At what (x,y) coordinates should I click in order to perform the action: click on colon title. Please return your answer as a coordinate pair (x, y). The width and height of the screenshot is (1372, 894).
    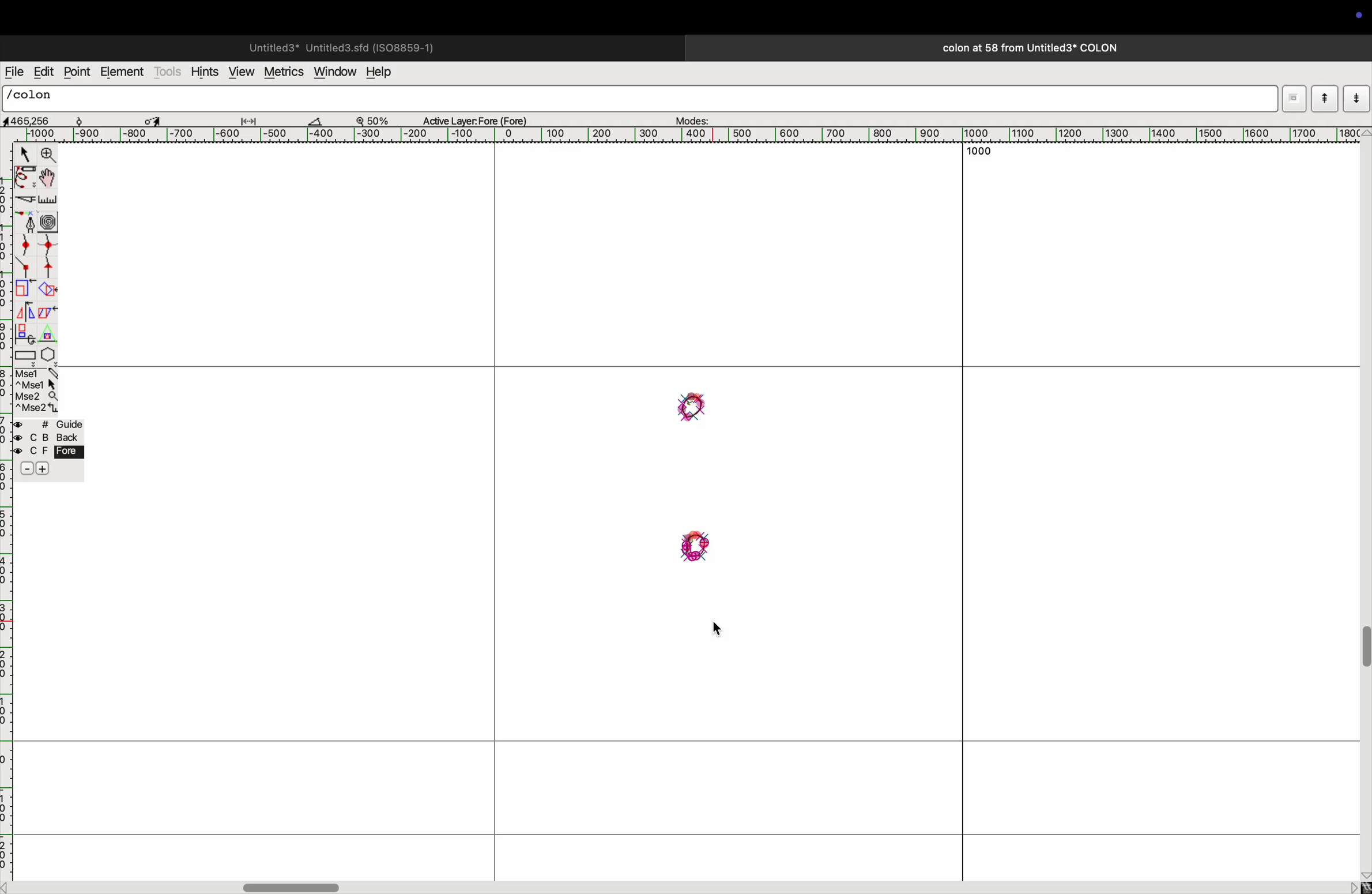
    Looking at the image, I should click on (1025, 48).